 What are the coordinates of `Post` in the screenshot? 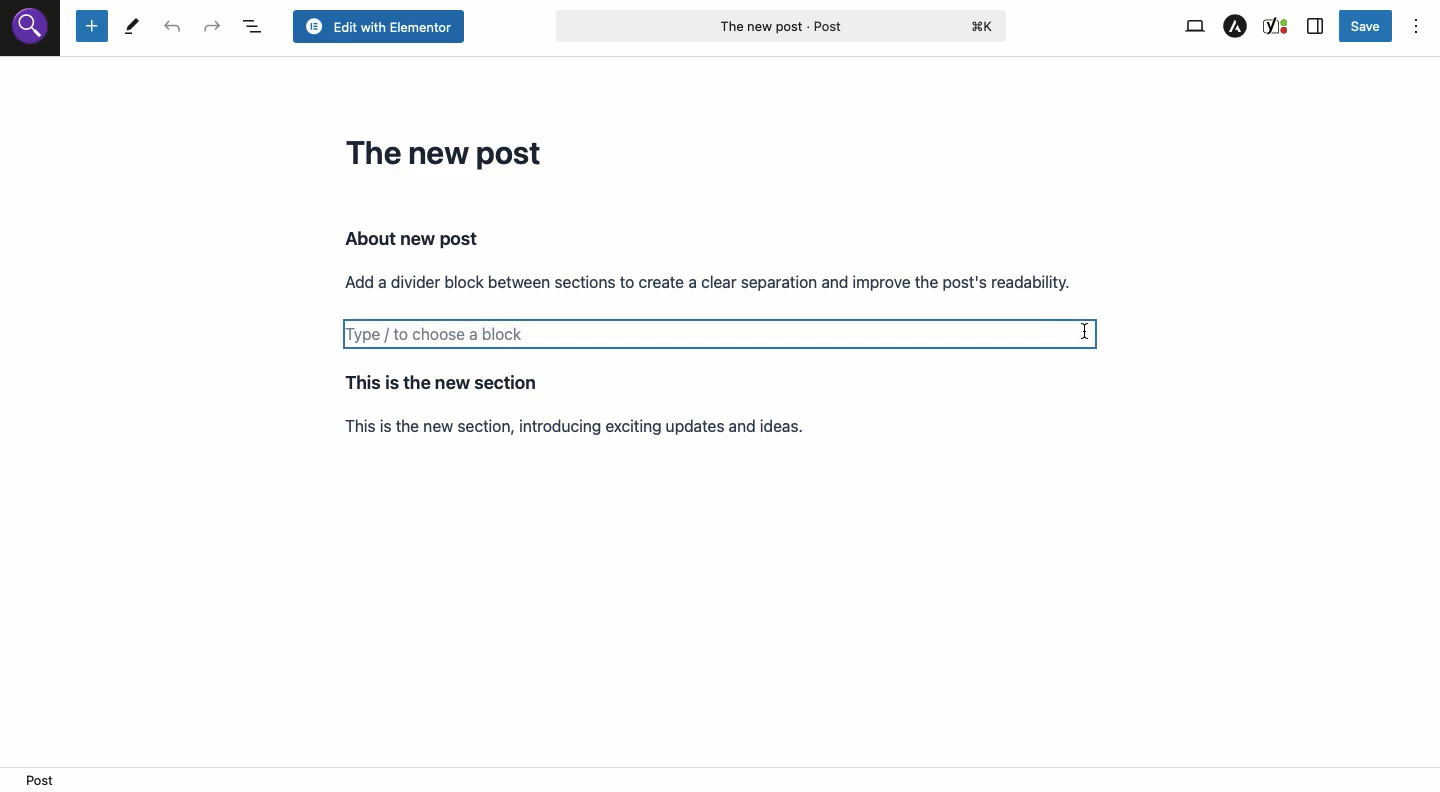 It's located at (780, 25).